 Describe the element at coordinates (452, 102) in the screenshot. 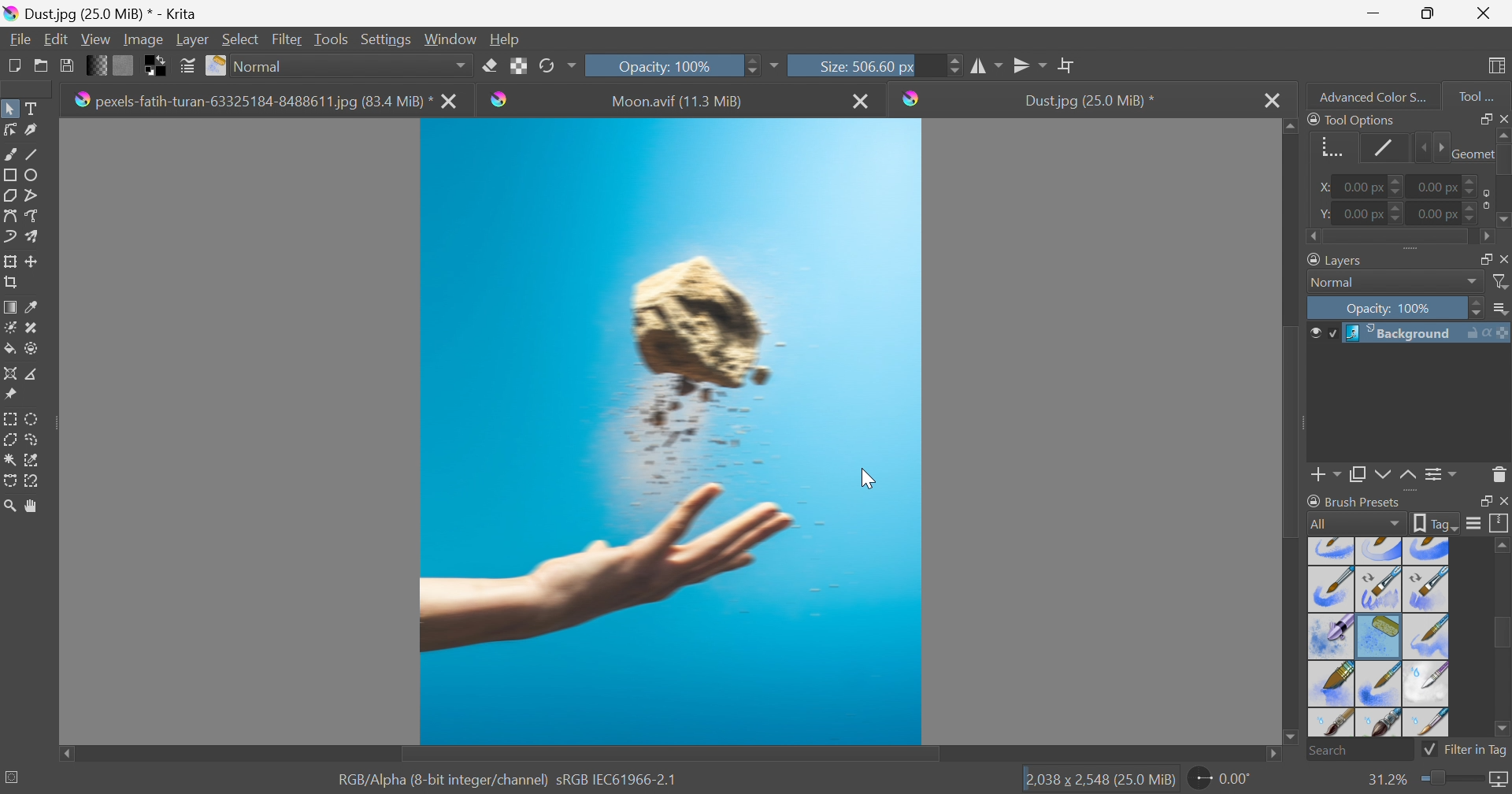

I see `close` at that location.